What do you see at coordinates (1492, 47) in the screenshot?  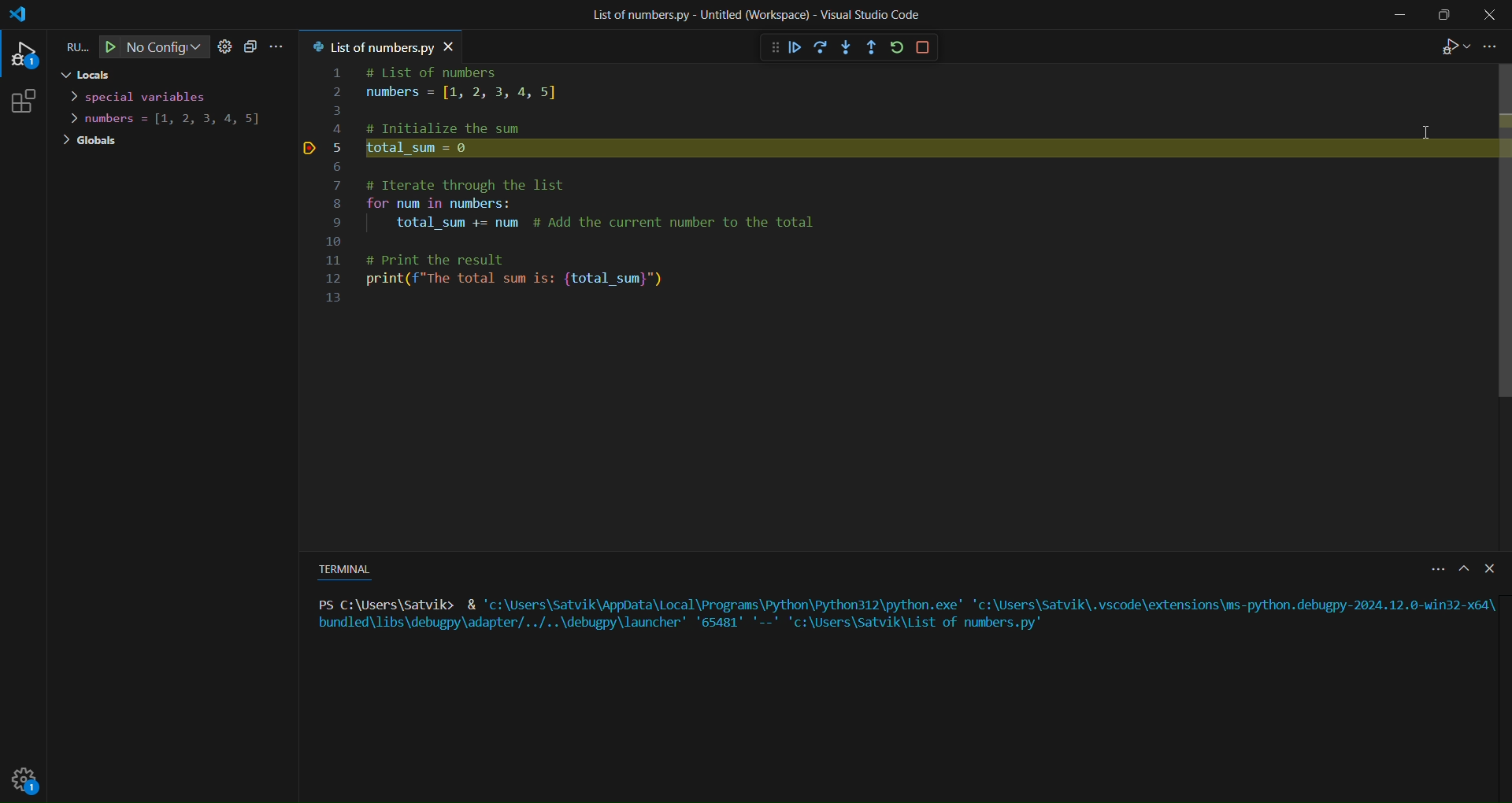 I see `more actions` at bounding box center [1492, 47].